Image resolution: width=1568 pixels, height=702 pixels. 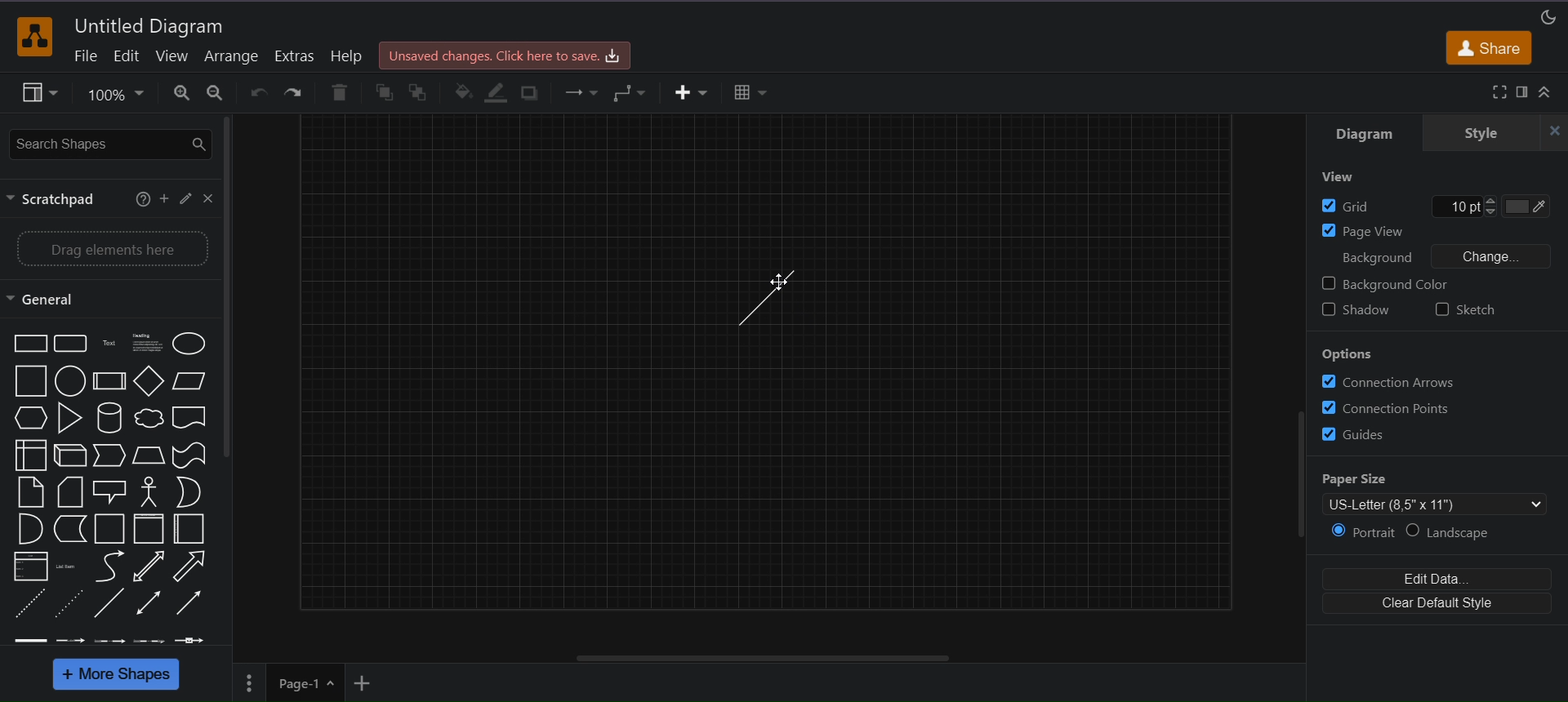 What do you see at coordinates (218, 93) in the screenshot?
I see `zoom out` at bounding box center [218, 93].